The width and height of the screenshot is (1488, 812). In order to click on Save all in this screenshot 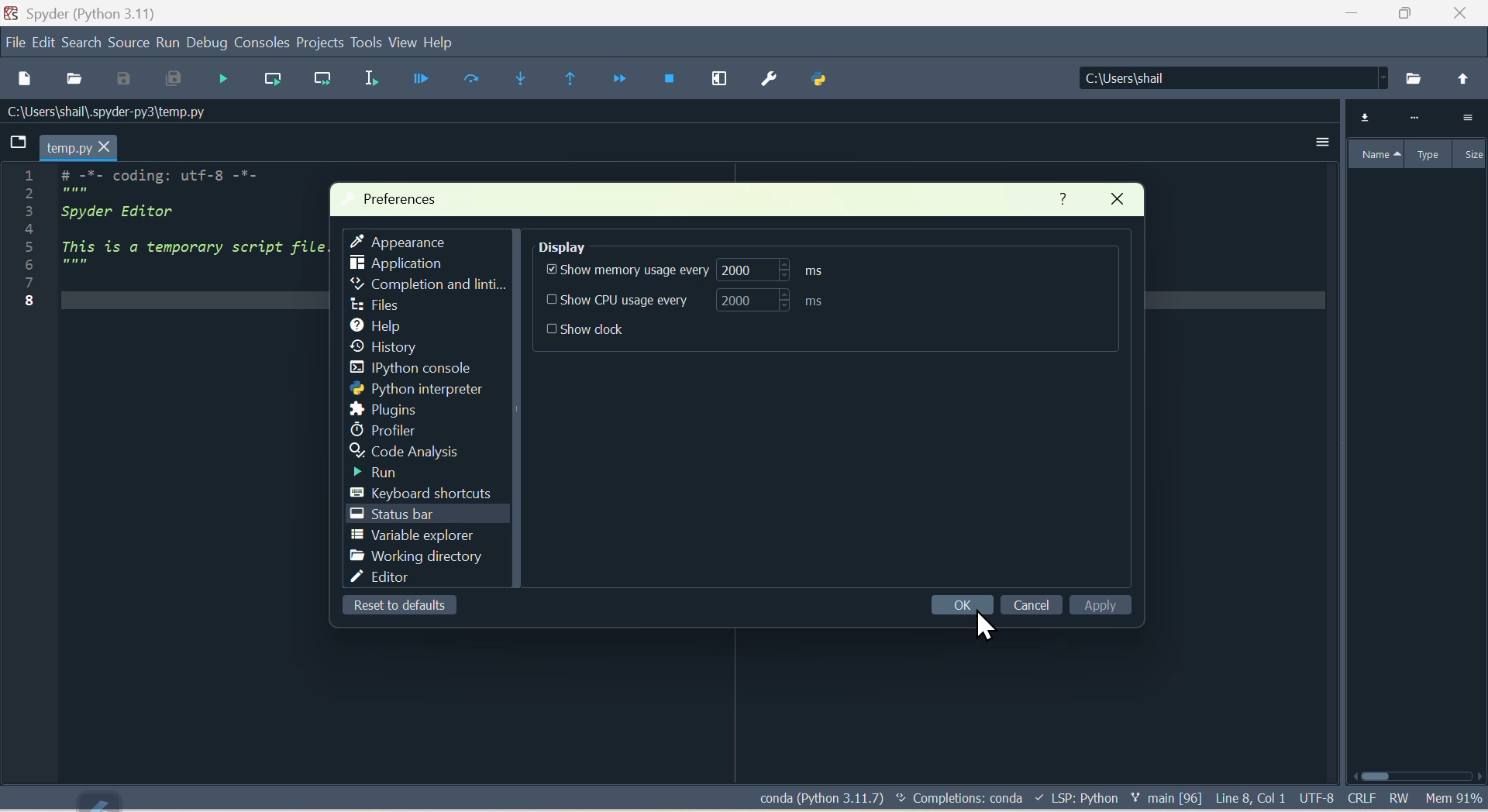, I will do `click(170, 80)`.